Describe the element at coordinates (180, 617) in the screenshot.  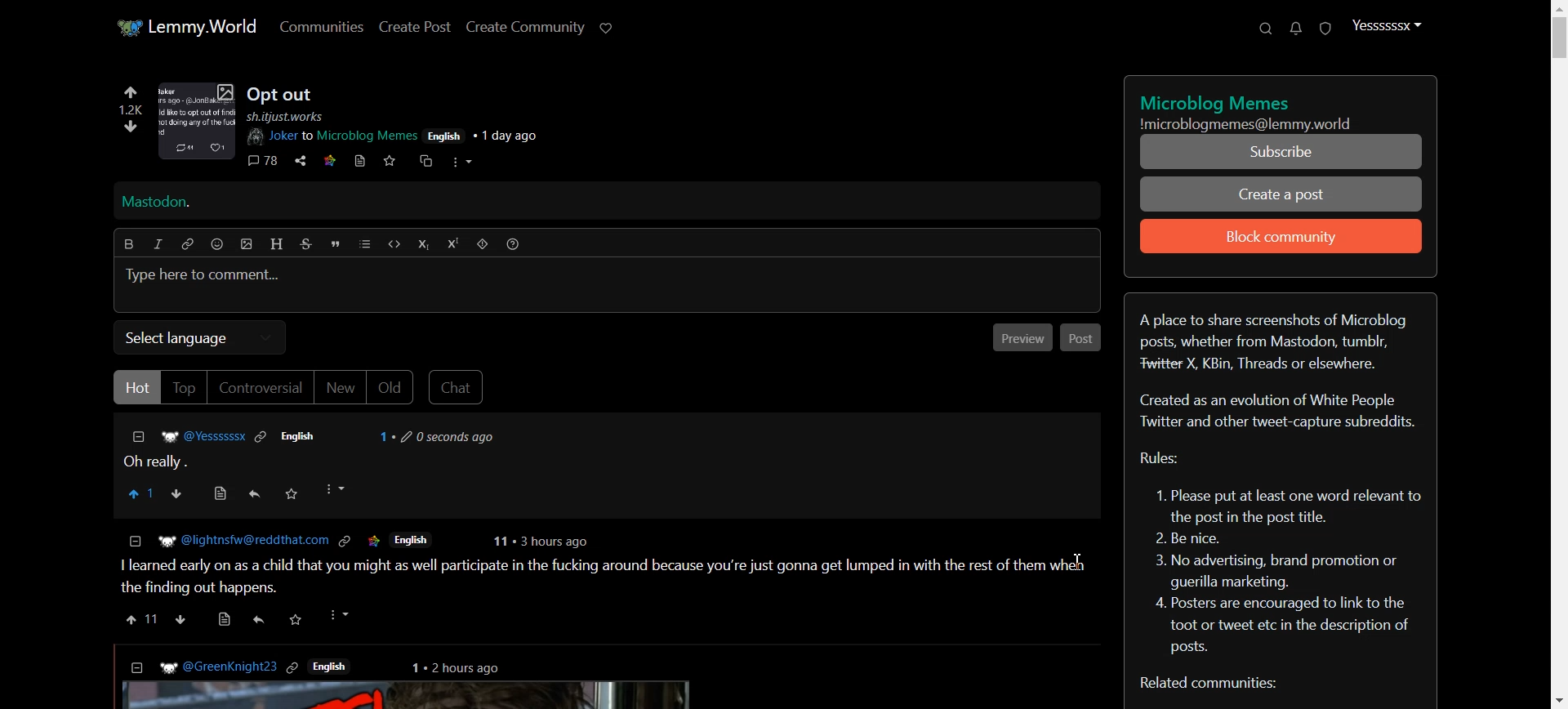
I see `downvote` at that location.